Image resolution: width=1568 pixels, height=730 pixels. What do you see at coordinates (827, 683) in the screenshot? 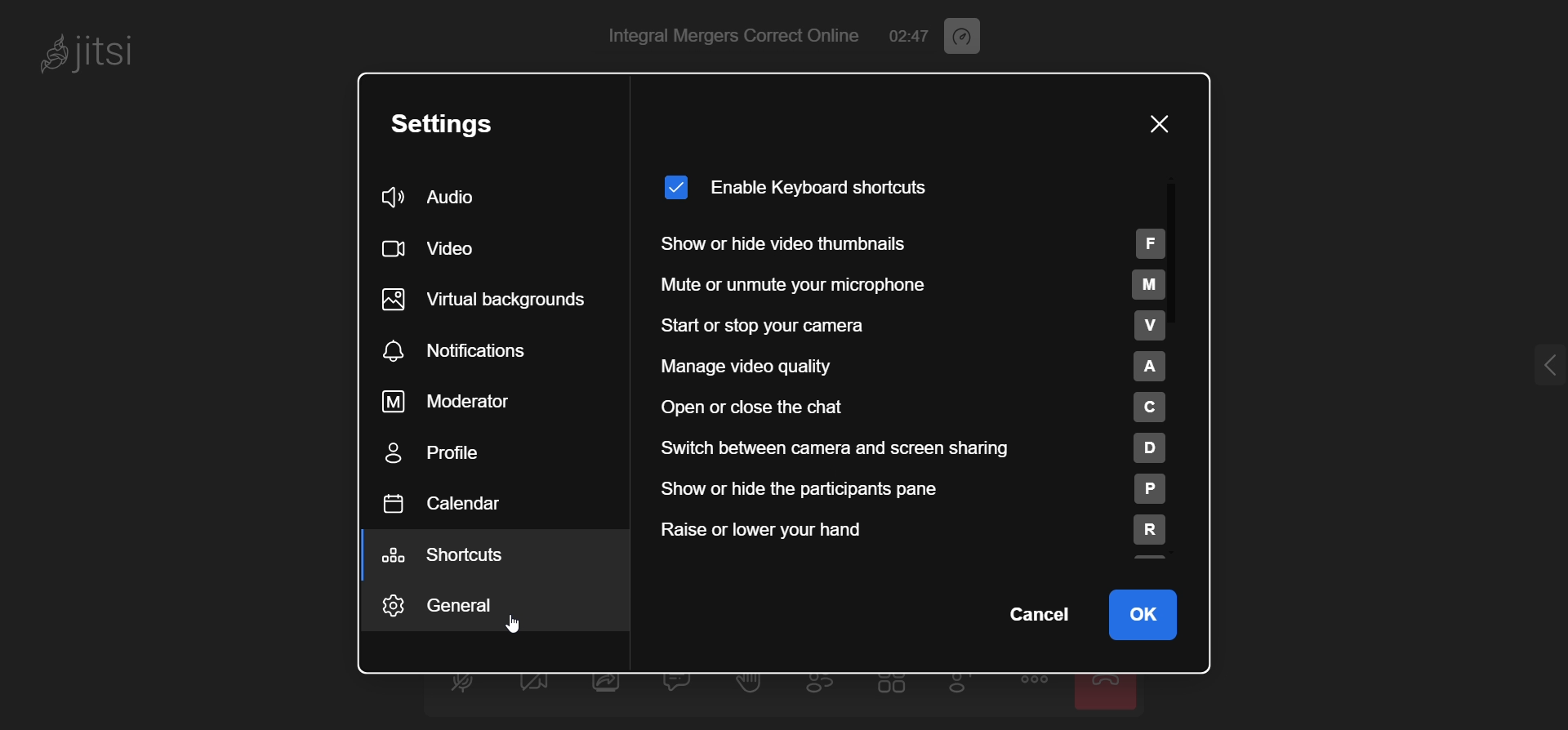
I see `participants` at bounding box center [827, 683].